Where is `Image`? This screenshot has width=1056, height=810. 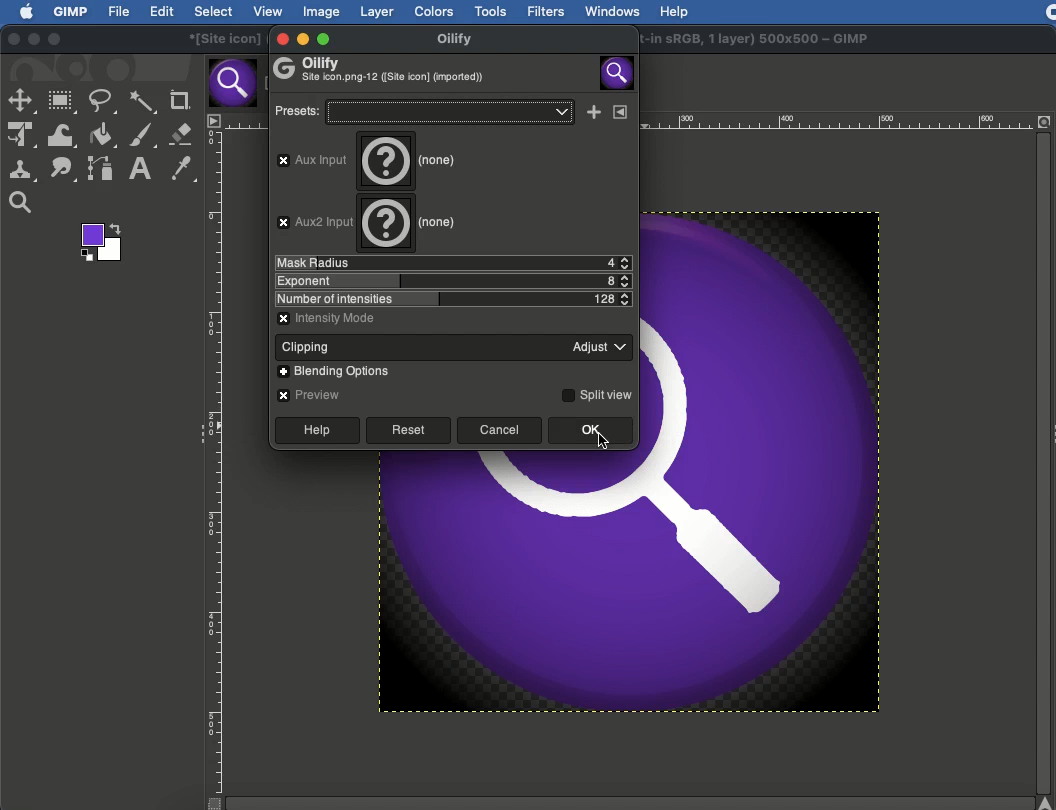
Image is located at coordinates (617, 74).